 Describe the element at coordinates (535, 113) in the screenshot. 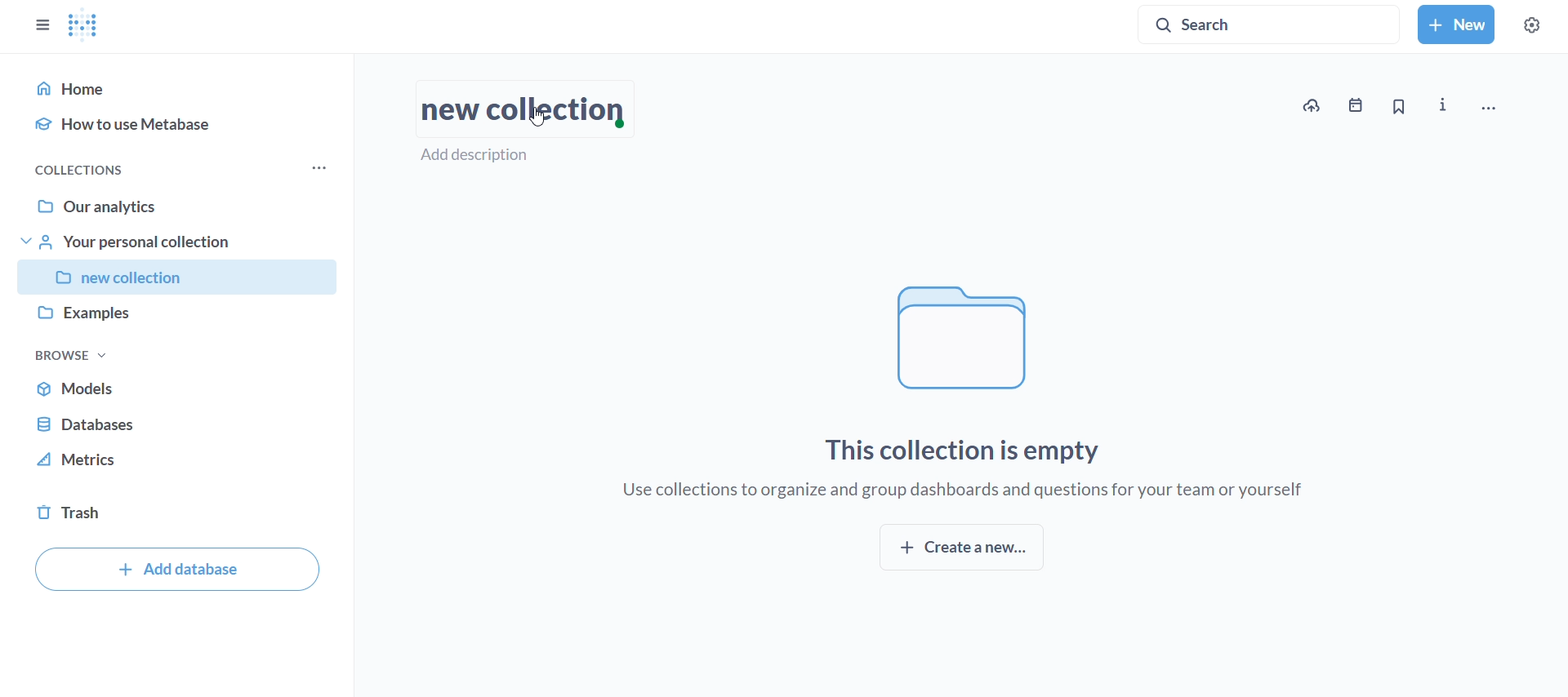

I see `cursor` at that location.